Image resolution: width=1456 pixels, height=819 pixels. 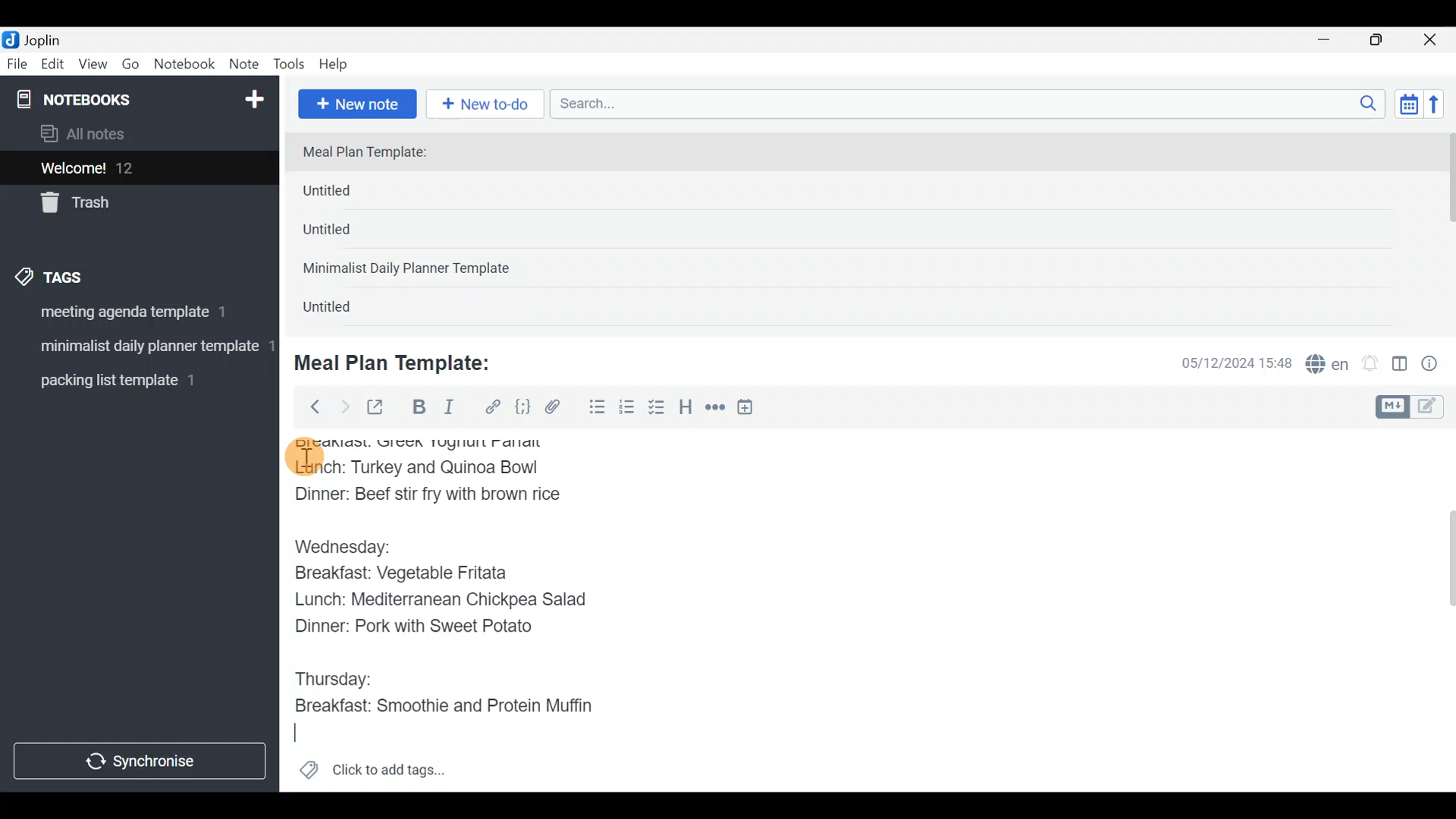 I want to click on Dinner: Pork with Sweet Potato, so click(x=427, y=630).